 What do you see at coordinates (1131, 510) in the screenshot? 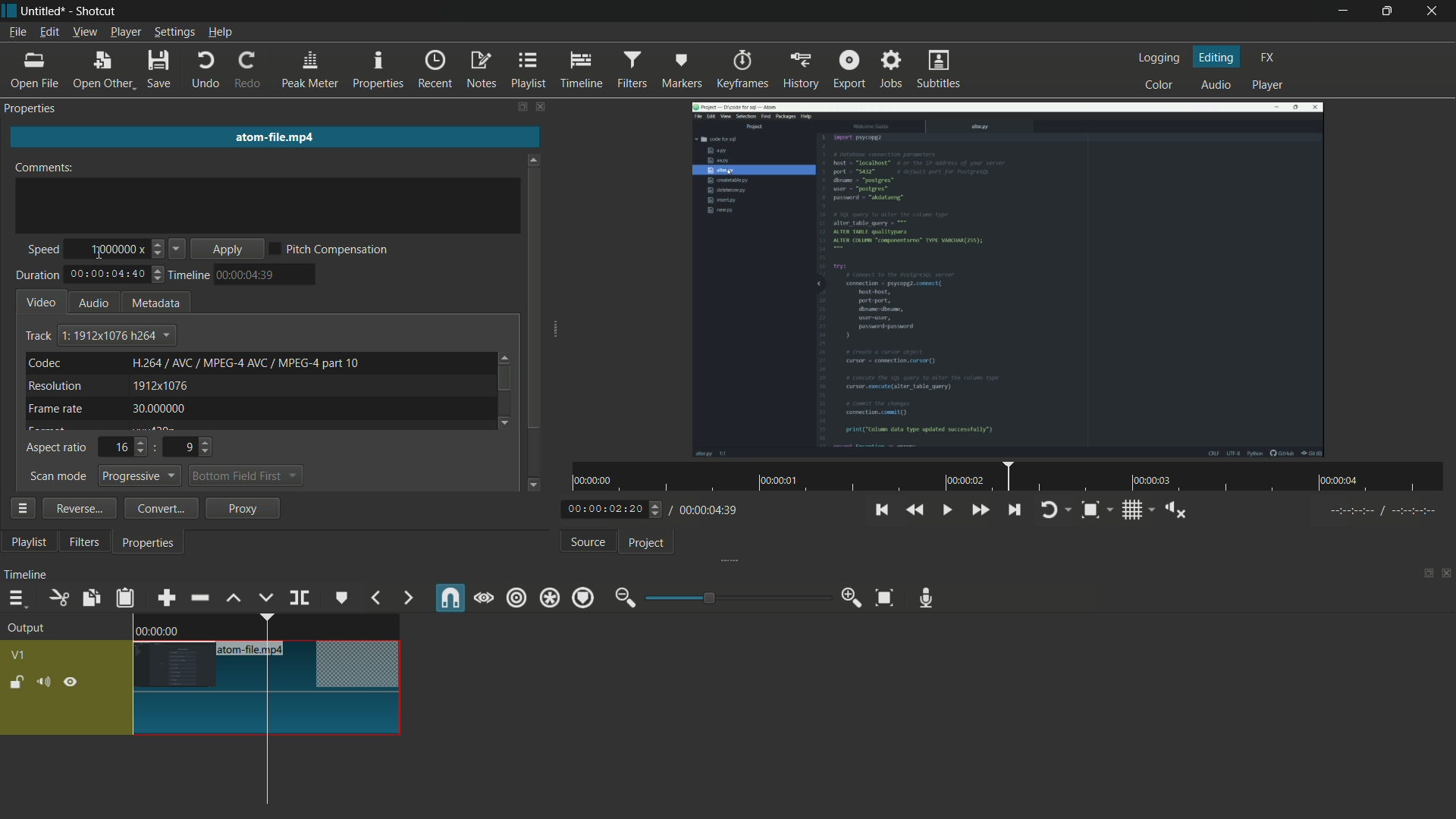
I see `toggle grid` at bounding box center [1131, 510].